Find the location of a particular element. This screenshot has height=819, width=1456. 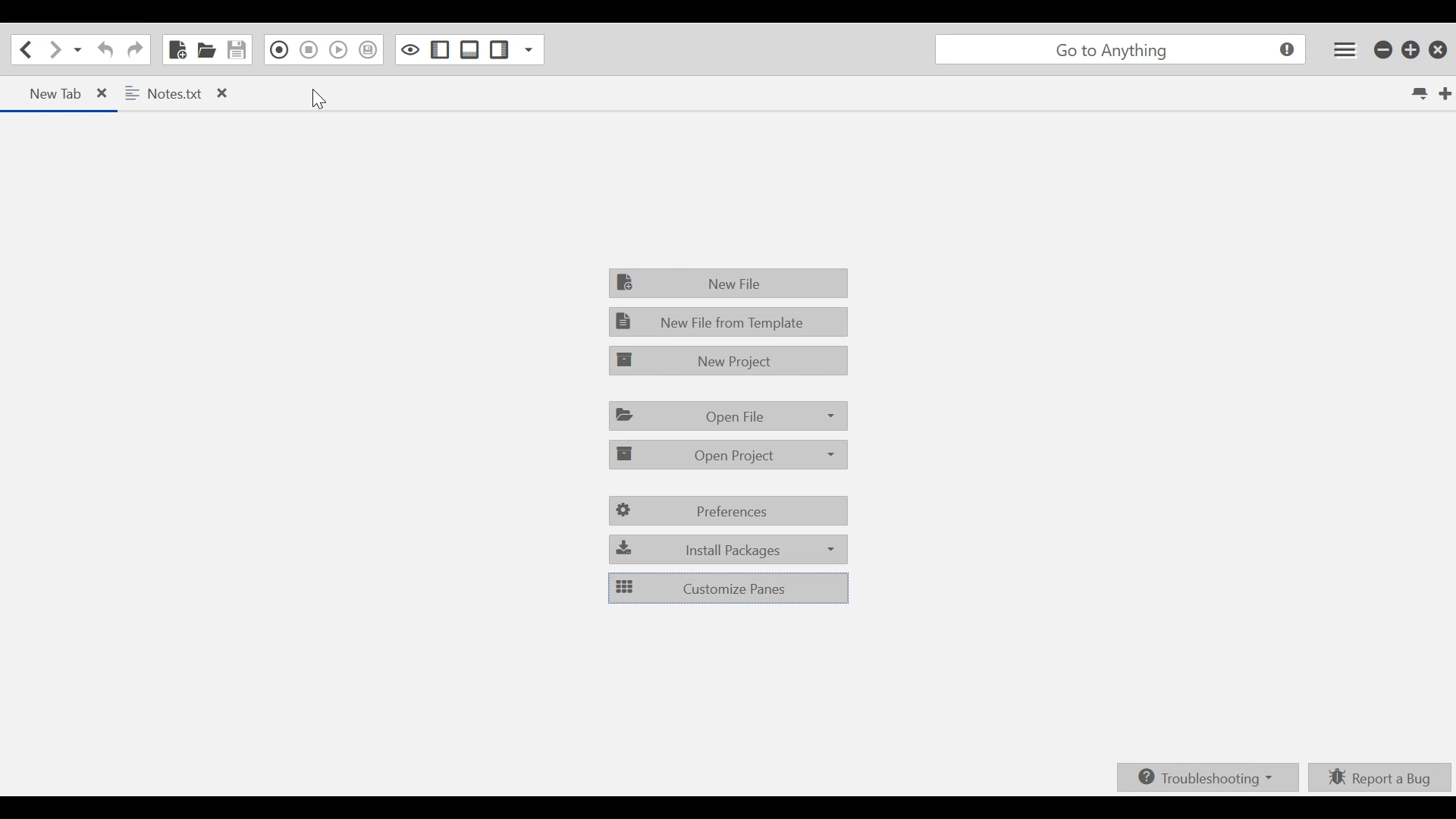

Recent Location is located at coordinates (76, 50).